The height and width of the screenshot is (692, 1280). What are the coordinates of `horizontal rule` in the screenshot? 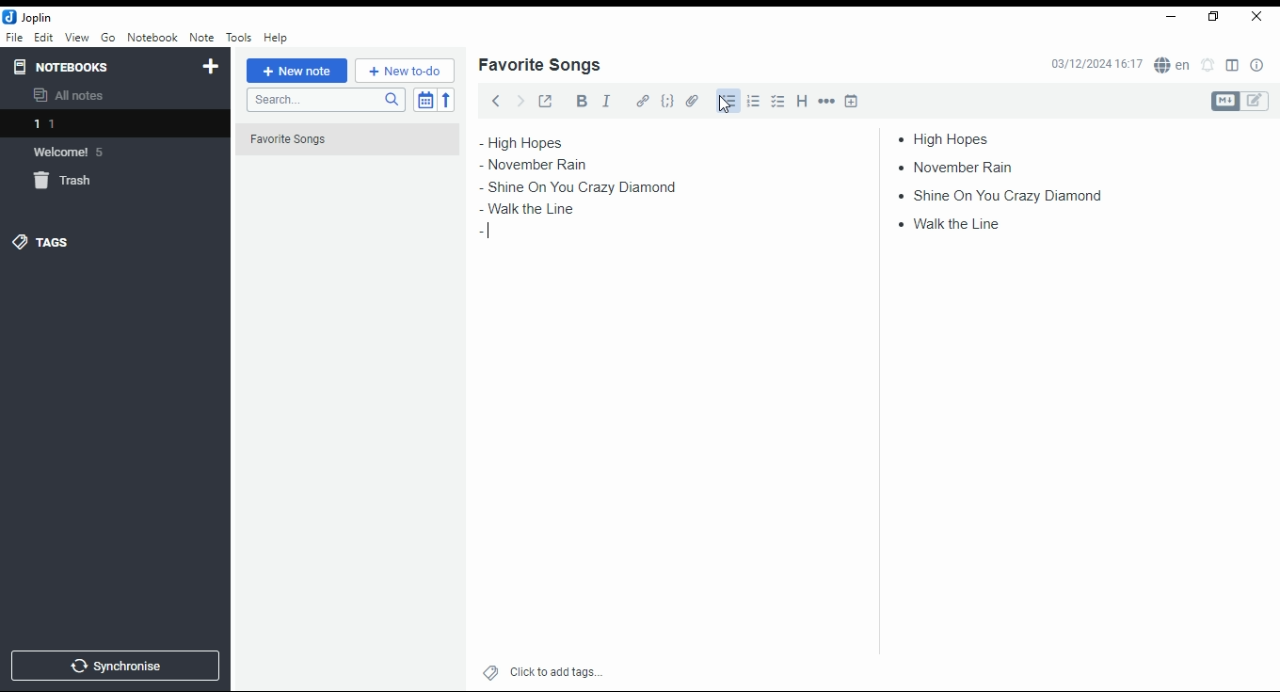 It's located at (828, 100).